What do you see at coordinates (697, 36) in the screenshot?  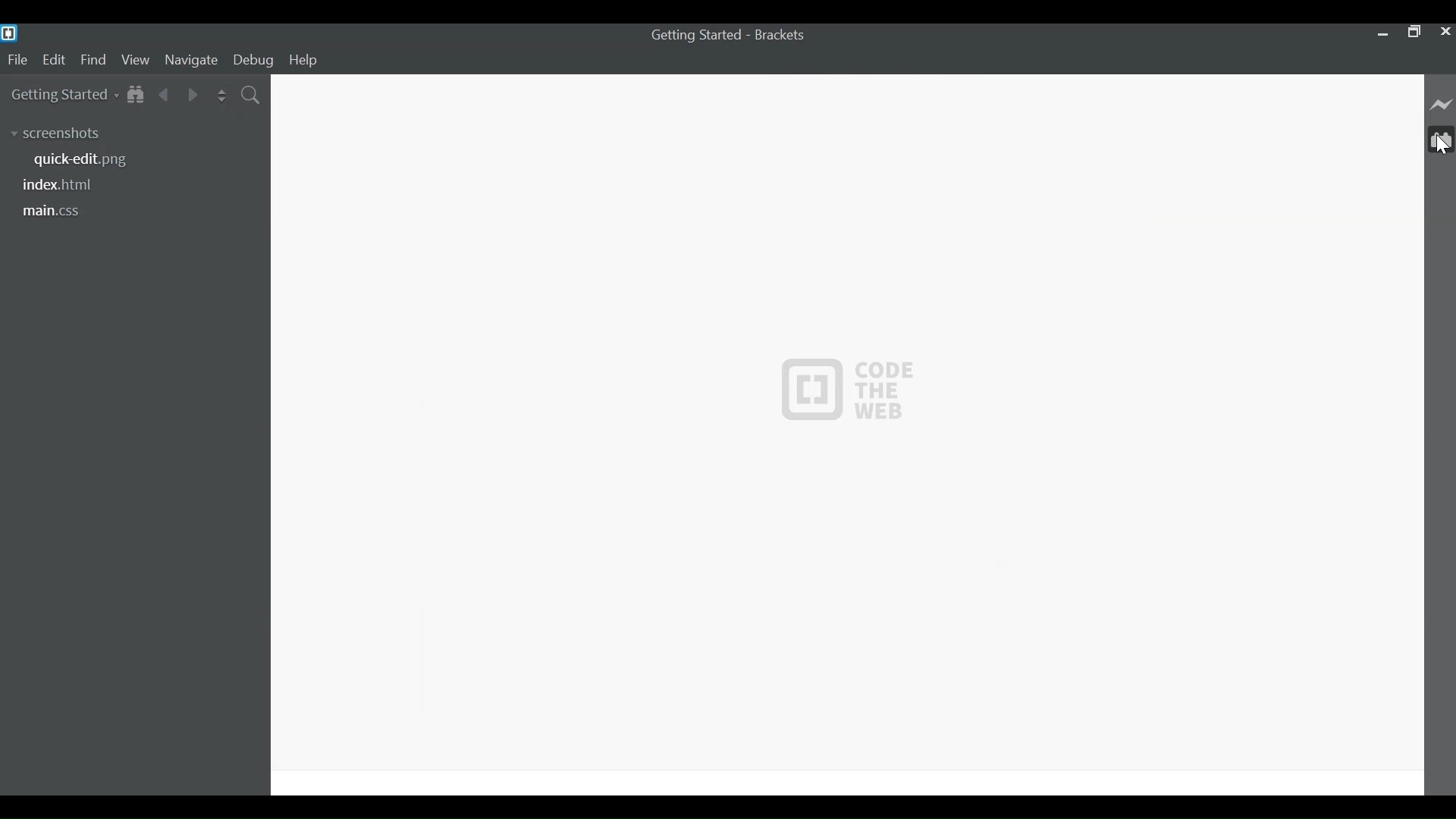 I see `Getting Started - Brackets` at bounding box center [697, 36].